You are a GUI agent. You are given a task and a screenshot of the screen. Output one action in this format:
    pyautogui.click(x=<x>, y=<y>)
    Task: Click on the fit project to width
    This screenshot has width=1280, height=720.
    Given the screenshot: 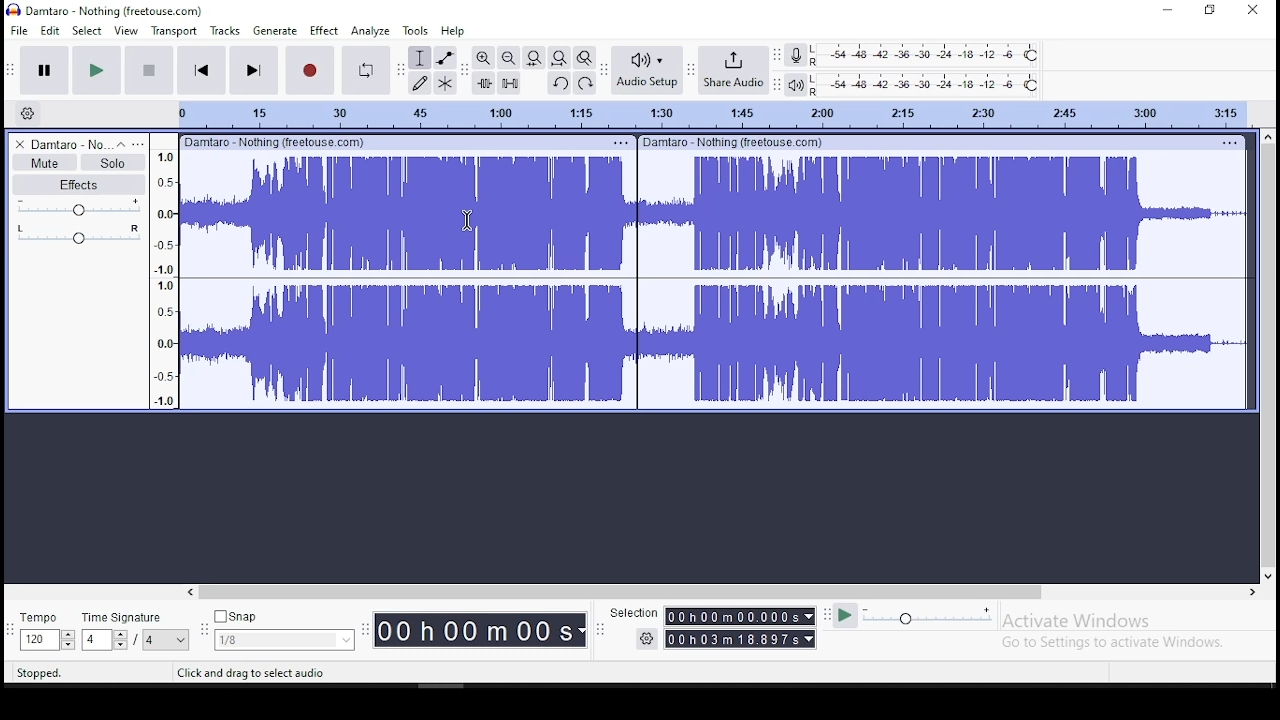 What is the action you would take?
    pyautogui.click(x=559, y=58)
    